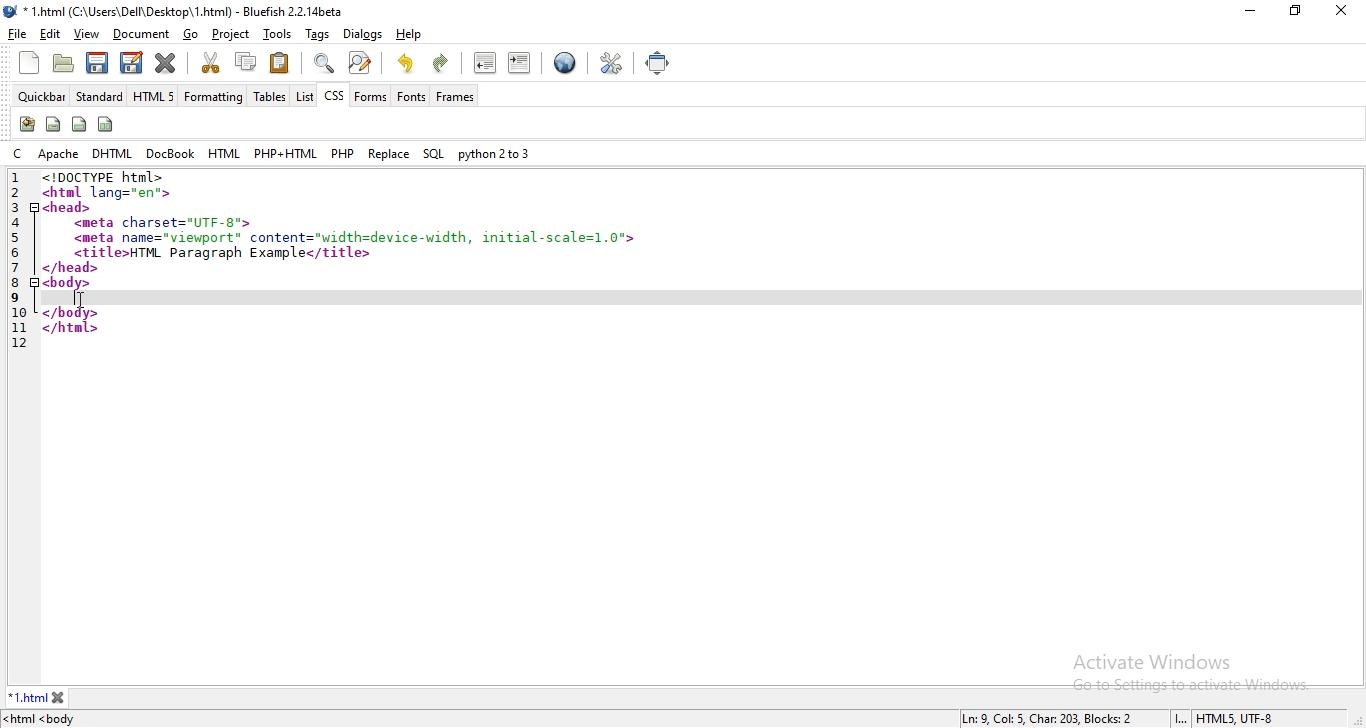 This screenshot has width=1366, height=728. I want to click on create stylesheet, so click(26, 125).